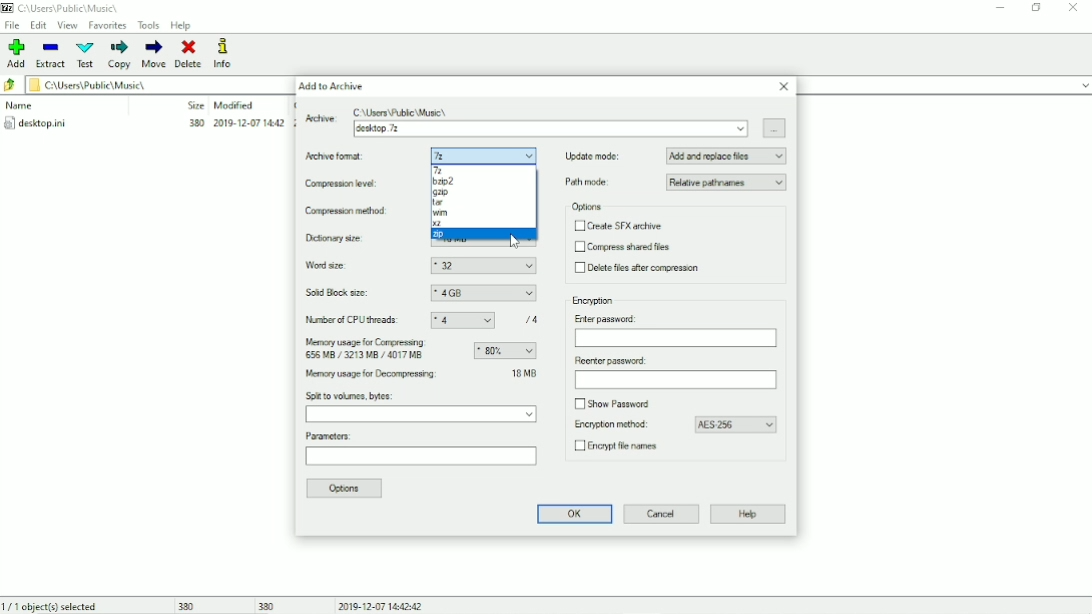  I want to click on 1/1 object(s) selected, so click(55, 605).